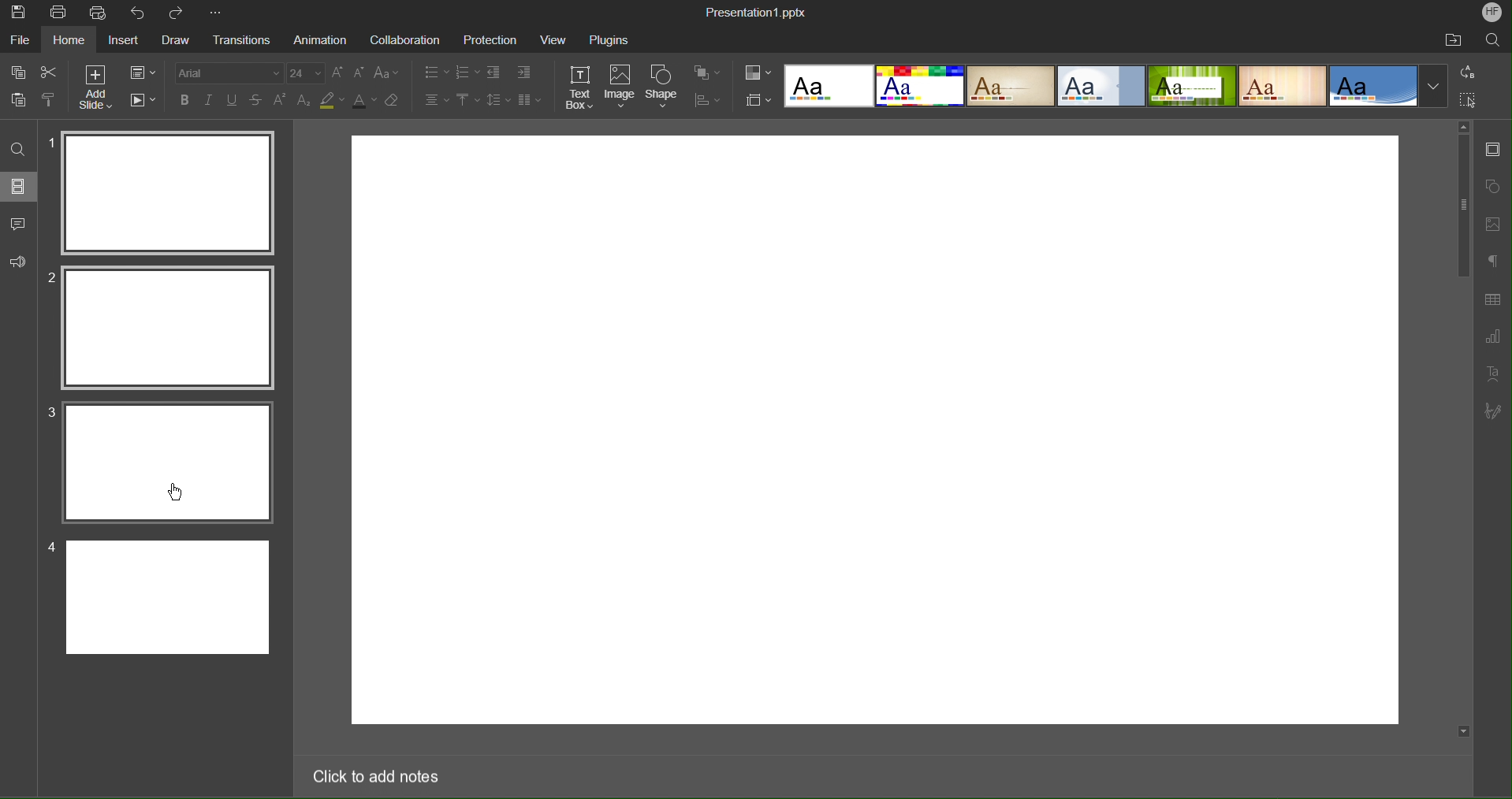 Image resolution: width=1512 pixels, height=799 pixels. Describe the element at coordinates (1491, 262) in the screenshot. I see `Paragraph Settings` at that location.